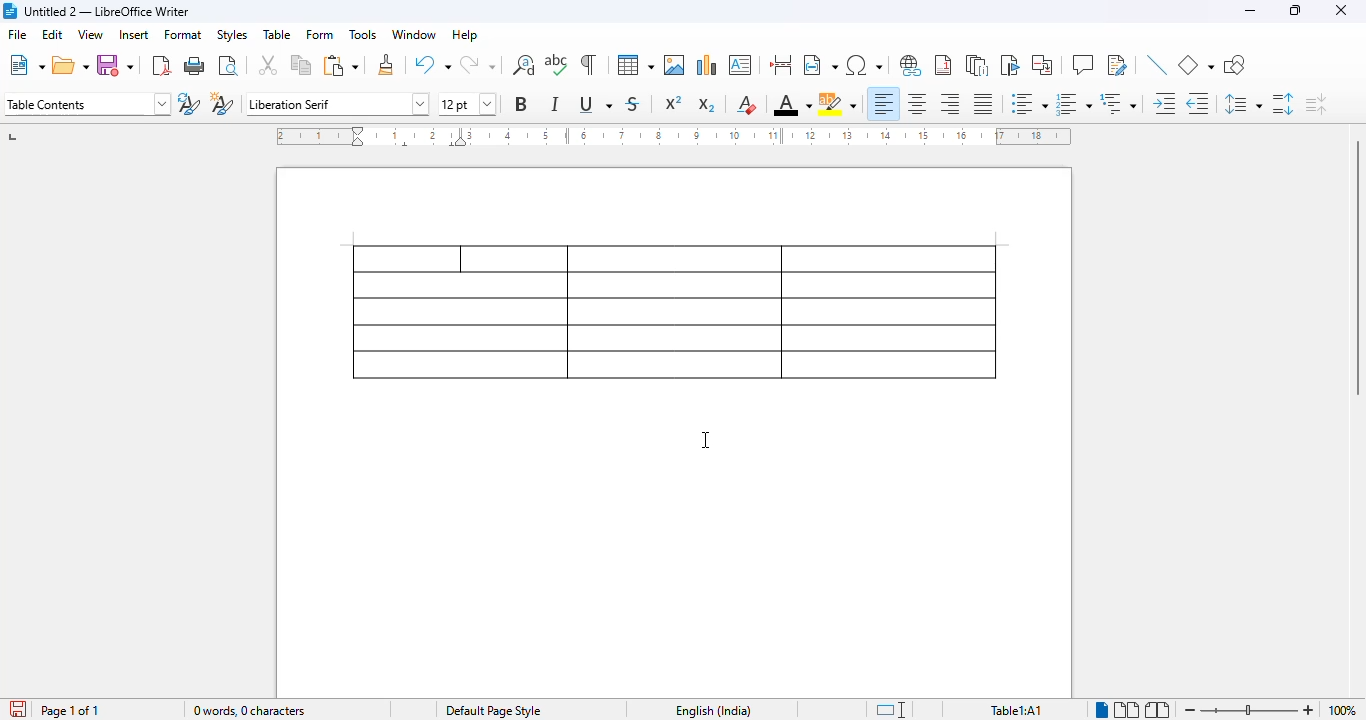  I want to click on maximize, so click(1296, 11).